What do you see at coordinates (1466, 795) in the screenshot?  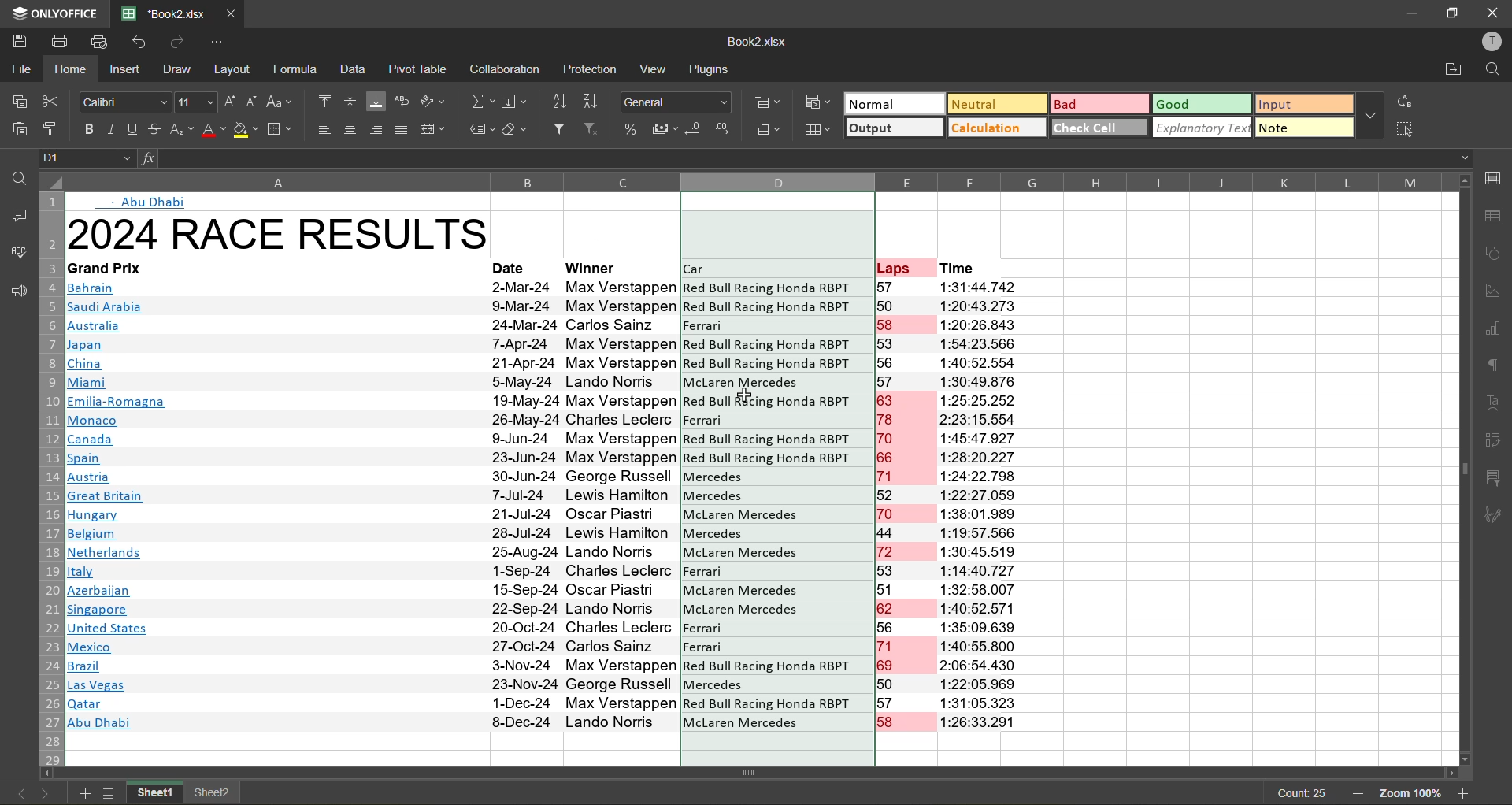 I see `zoom in` at bounding box center [1466, 795].